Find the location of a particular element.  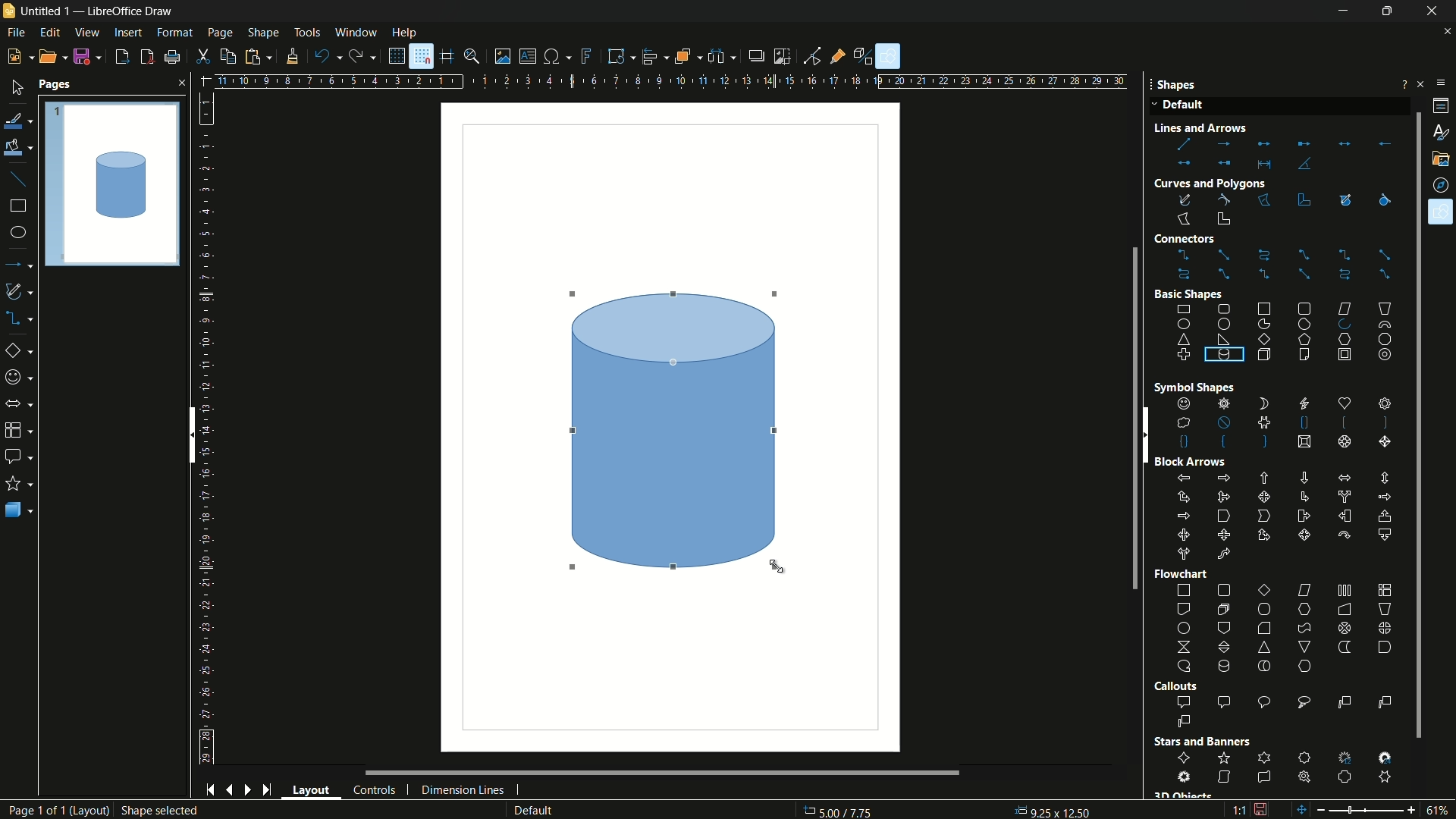

basic shapes is located at coordinates (1285, 331).